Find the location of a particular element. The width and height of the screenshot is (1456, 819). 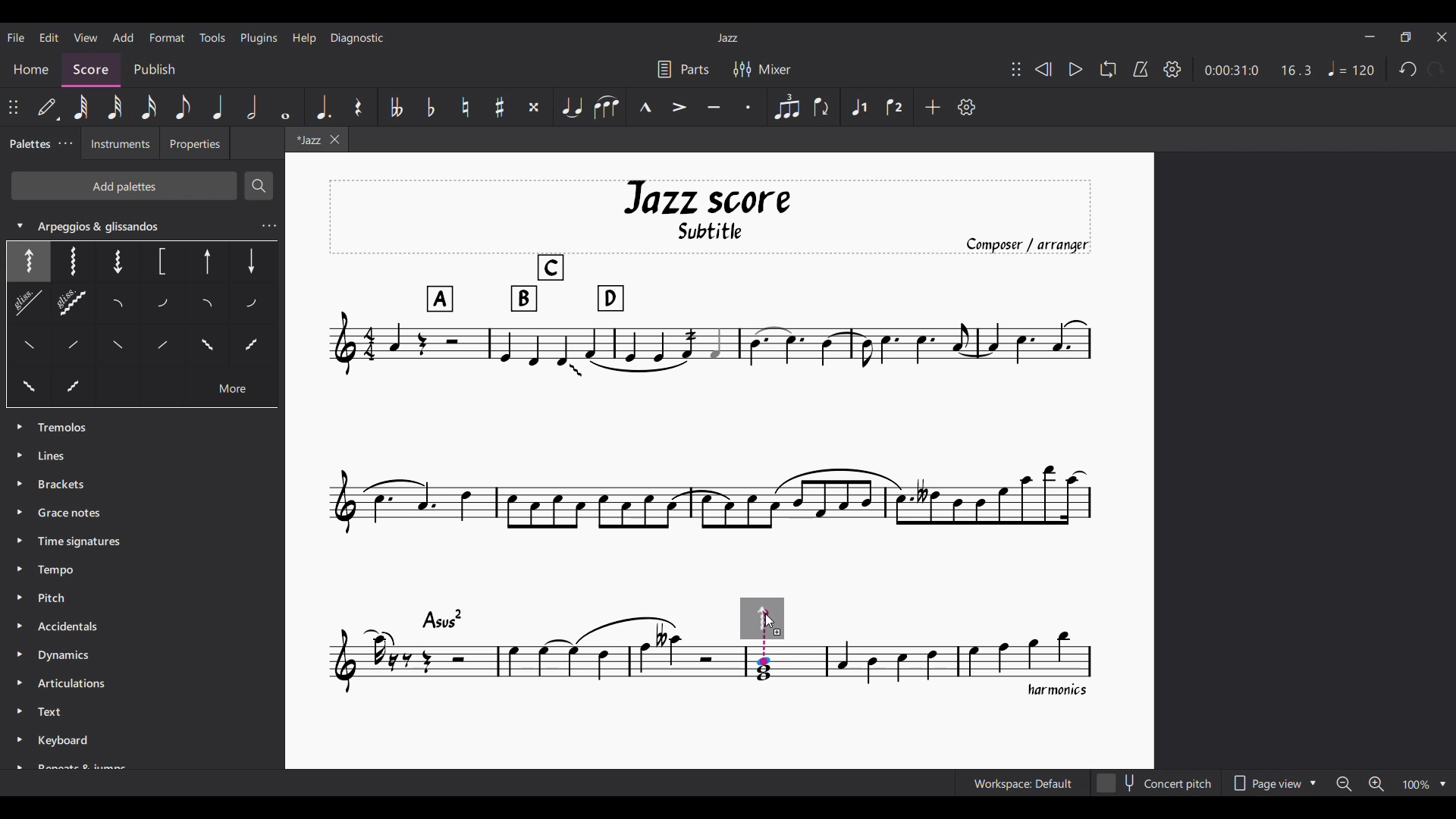

Home section is located at coordinates (32, 67).